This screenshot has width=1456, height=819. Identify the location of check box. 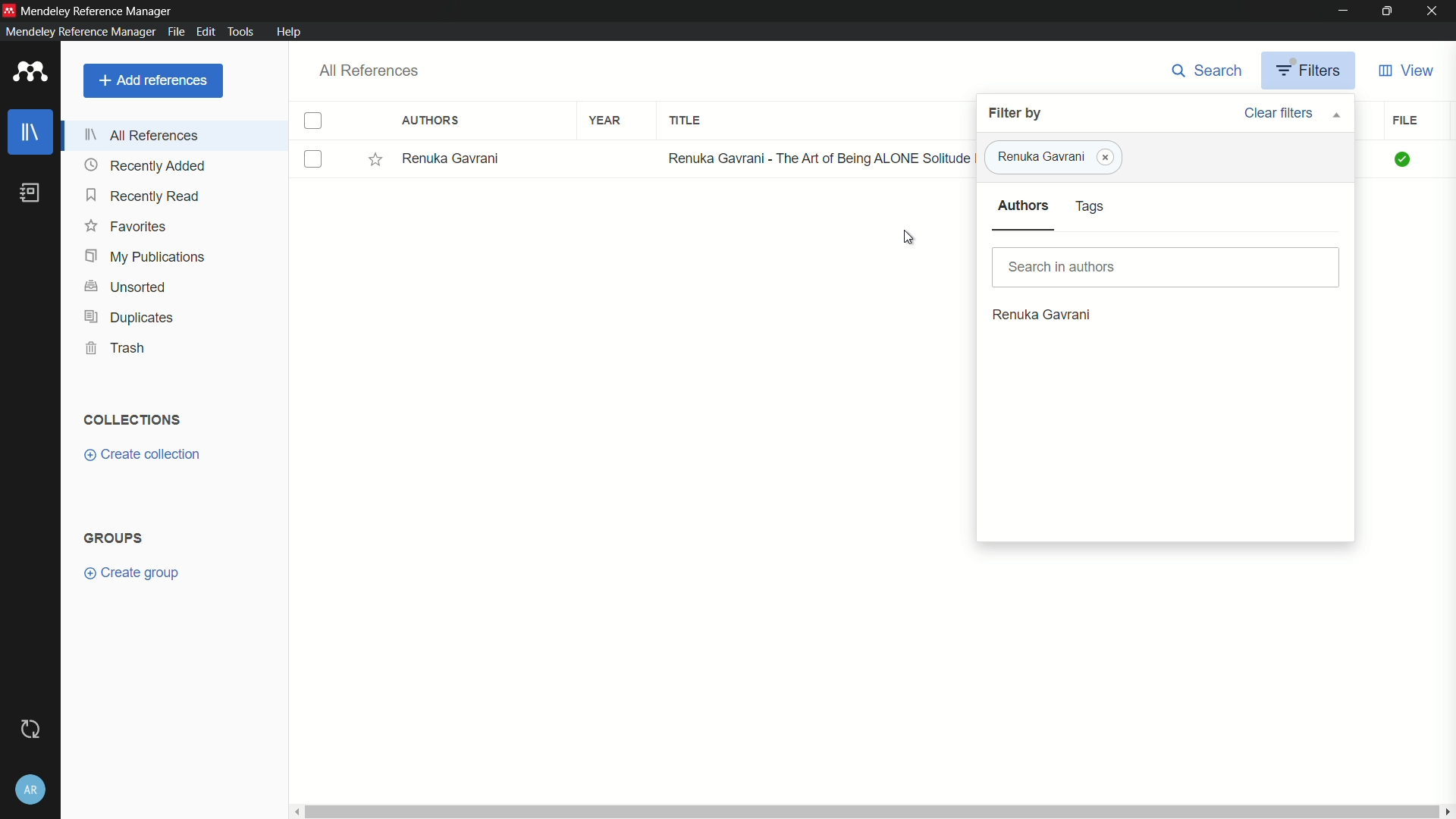
(313, 159).